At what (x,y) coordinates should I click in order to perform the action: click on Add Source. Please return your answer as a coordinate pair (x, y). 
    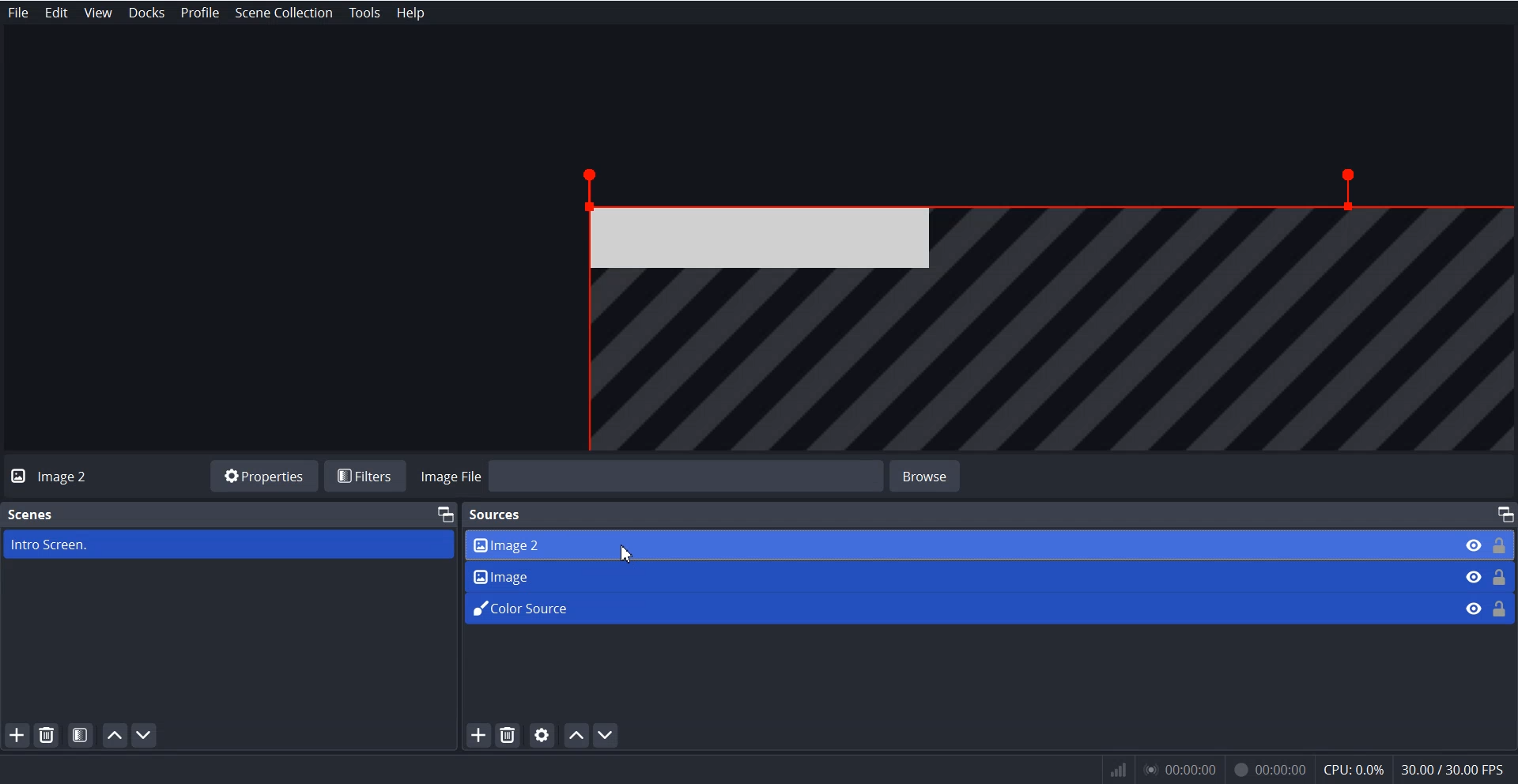
    Looking at the image, I should click on (477, 738).